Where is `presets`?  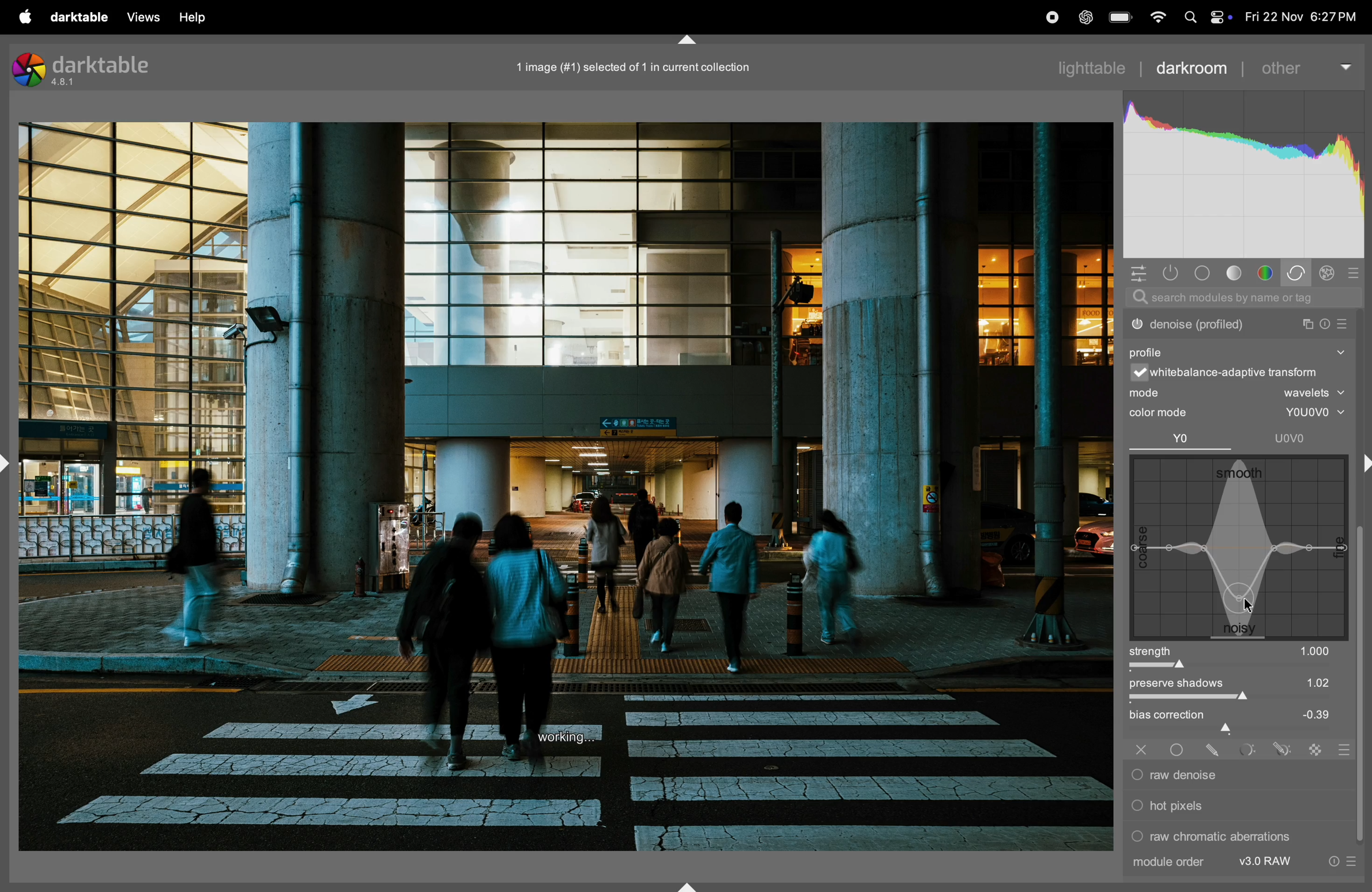 presets is located at coordinates (1356, 861).